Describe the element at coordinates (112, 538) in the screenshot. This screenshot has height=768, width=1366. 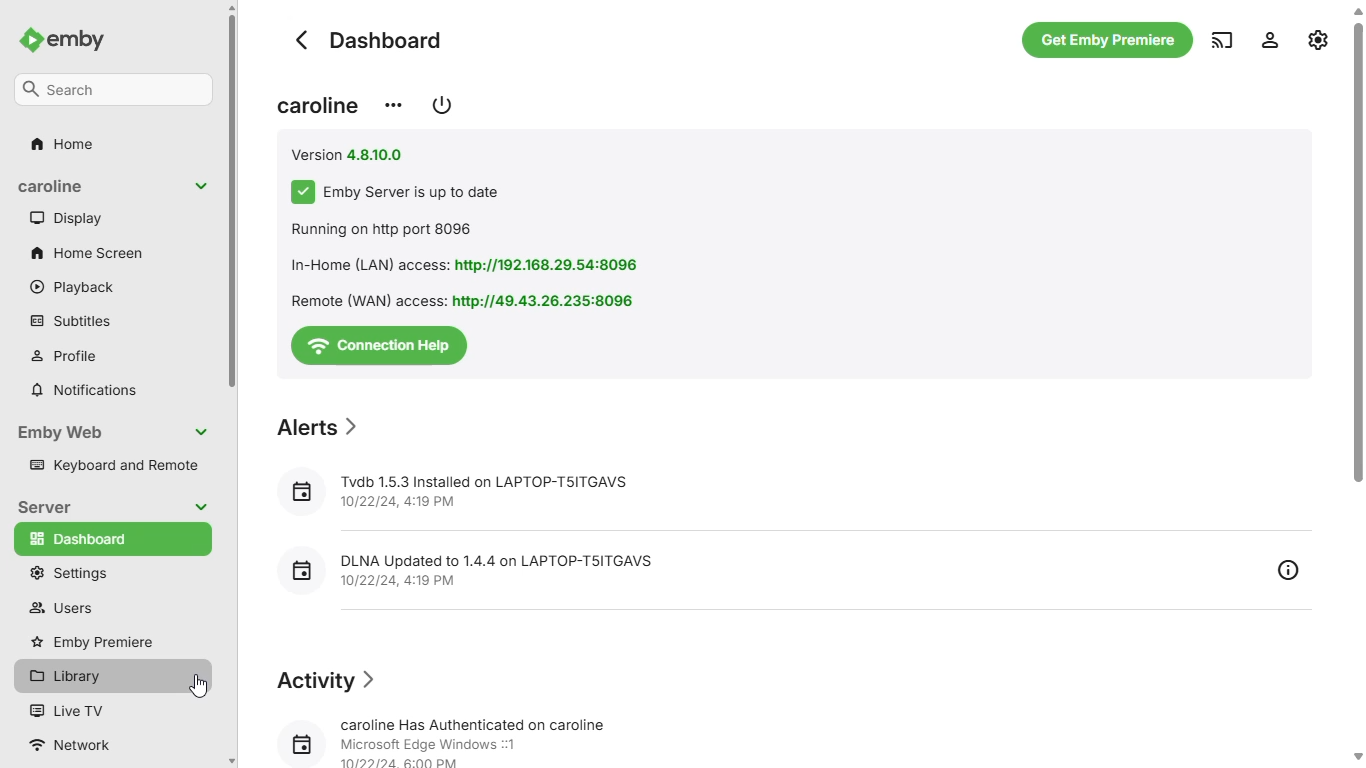
I see `dashboard` at that location.